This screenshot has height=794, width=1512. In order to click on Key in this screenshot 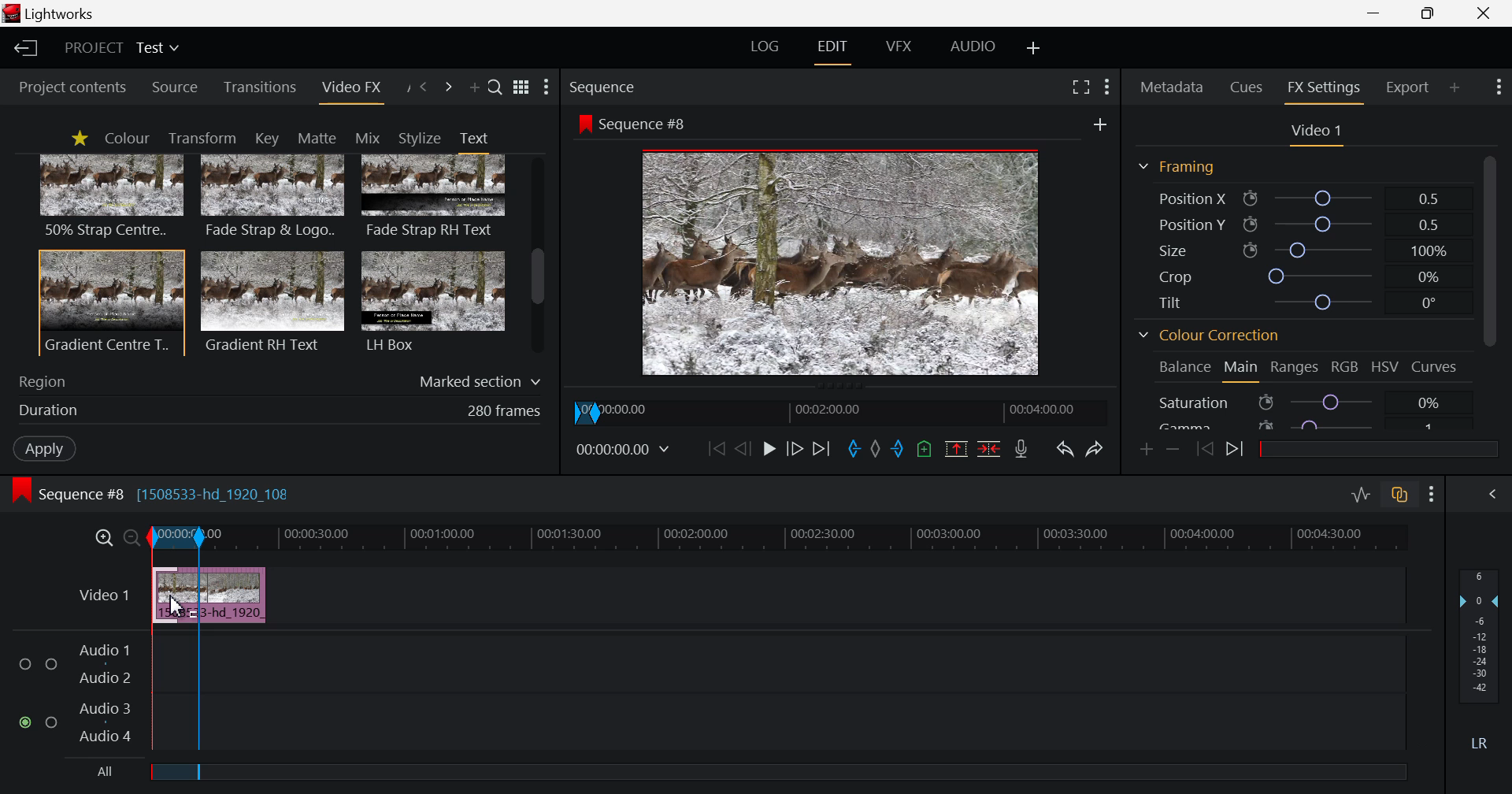, I will do `click(265, 139)`.